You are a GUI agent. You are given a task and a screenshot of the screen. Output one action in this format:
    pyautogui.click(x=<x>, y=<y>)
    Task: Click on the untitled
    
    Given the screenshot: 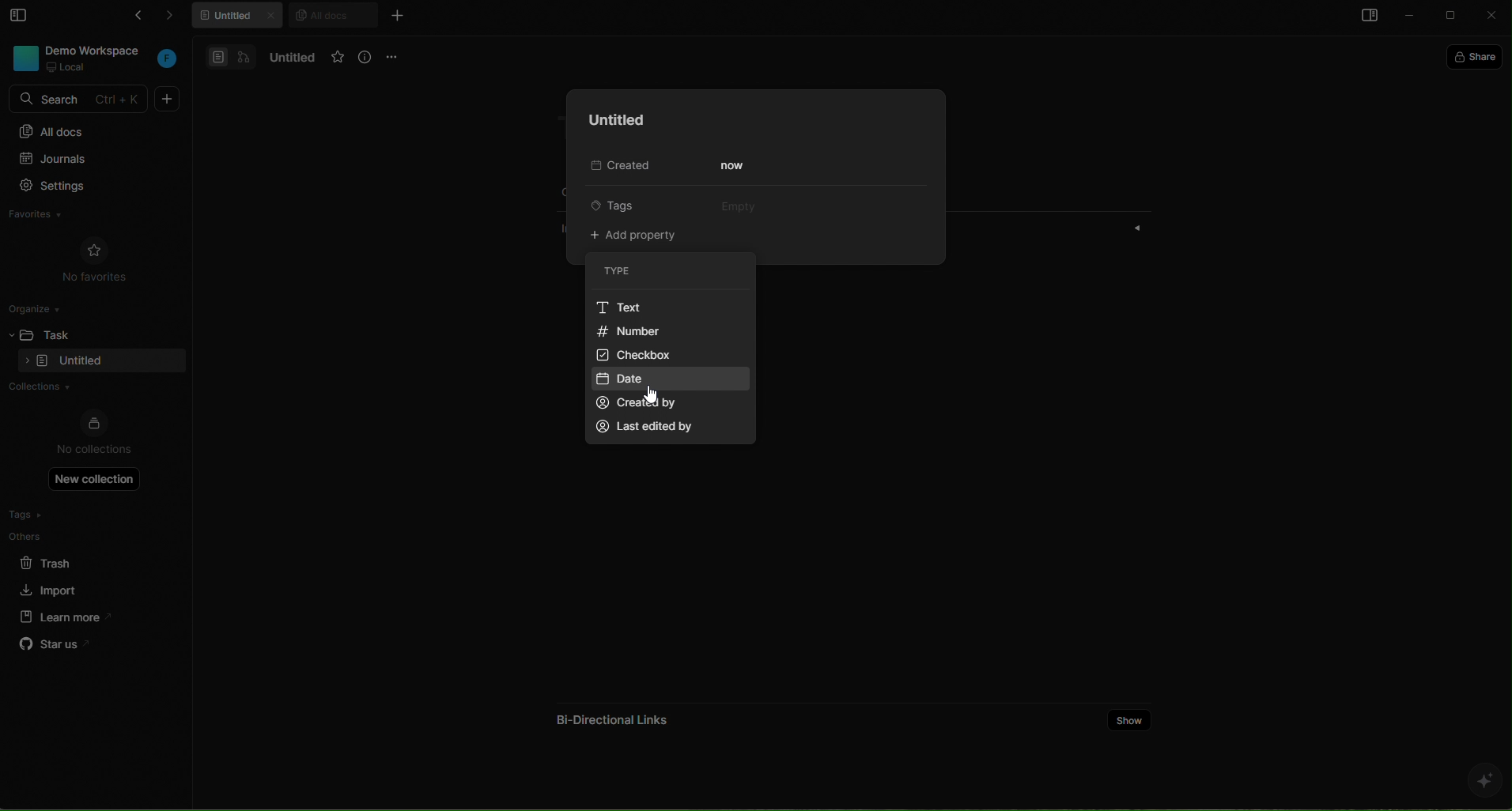 What is the action you would take?
    pyautogui.click(x=240, y=17)
    